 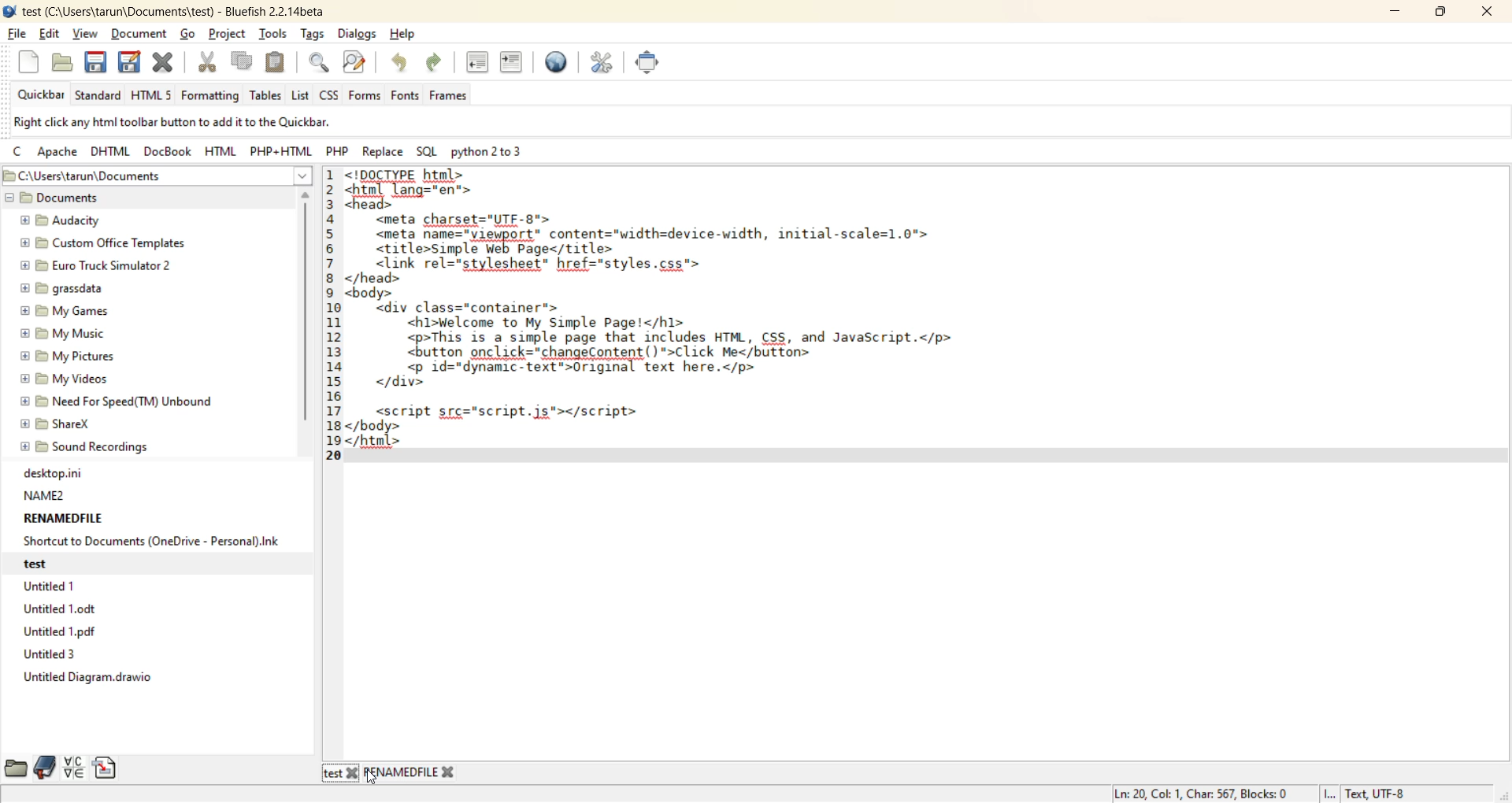 I want to click on new, so click(x=28, y=63).